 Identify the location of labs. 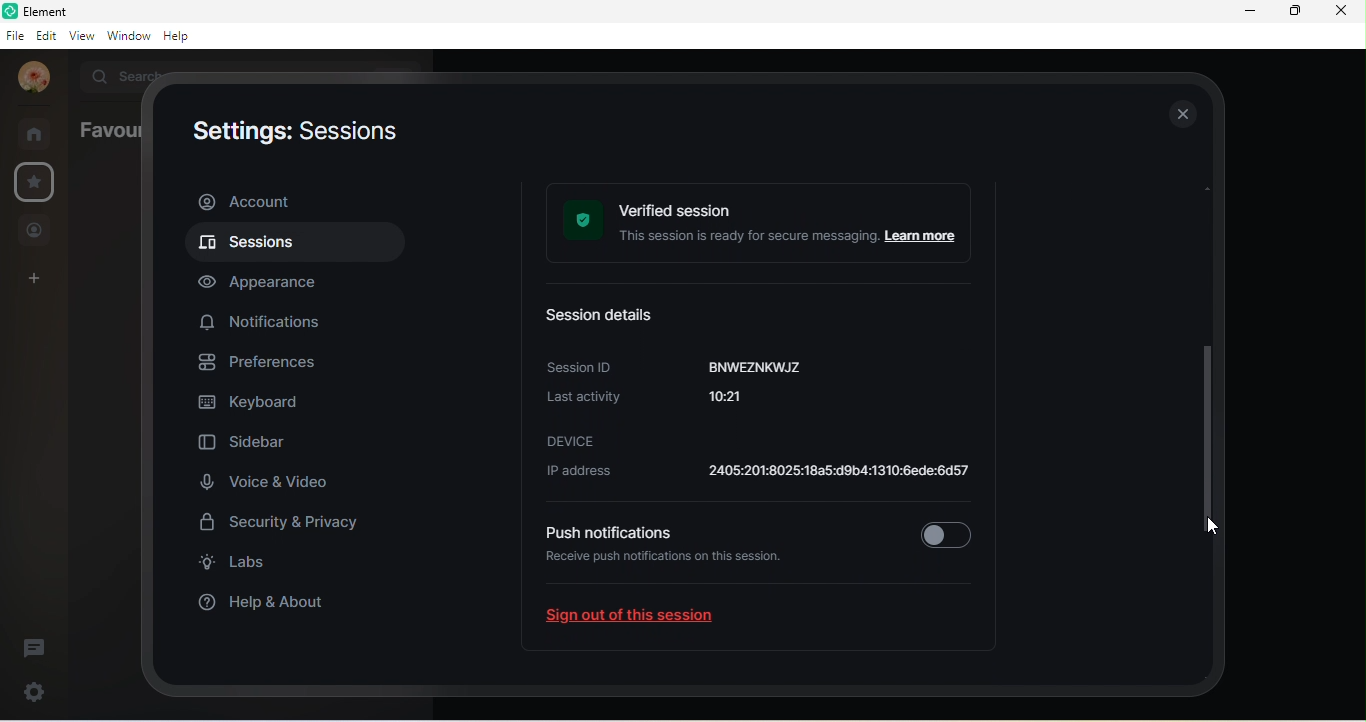
(241, 565).